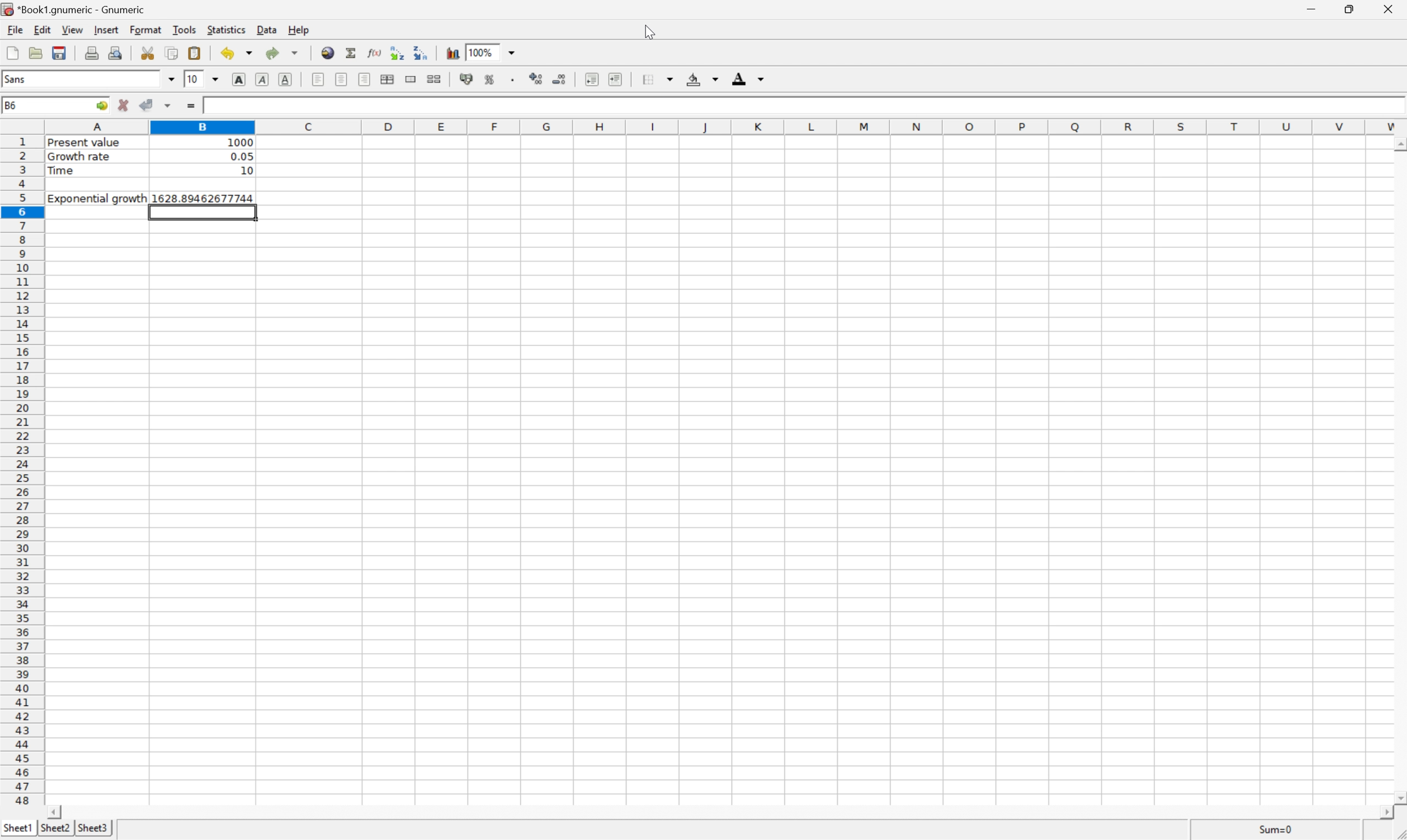  What do you see at coordinates (149, 103) in the screenshot?
I see `Accept changes` at bounding box center [149, 103].